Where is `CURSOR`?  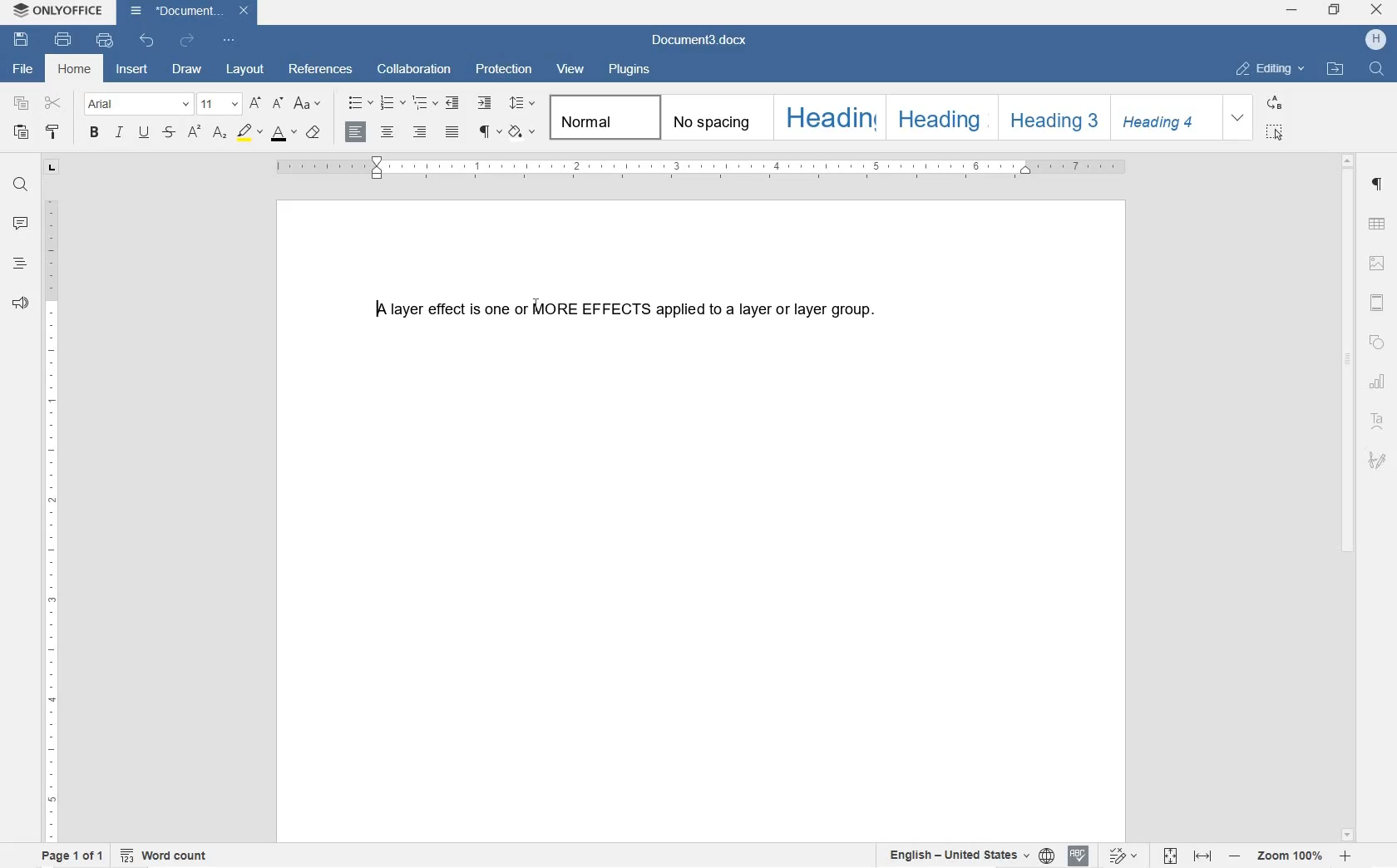
CURSOR is located at coordinates (536, 307).